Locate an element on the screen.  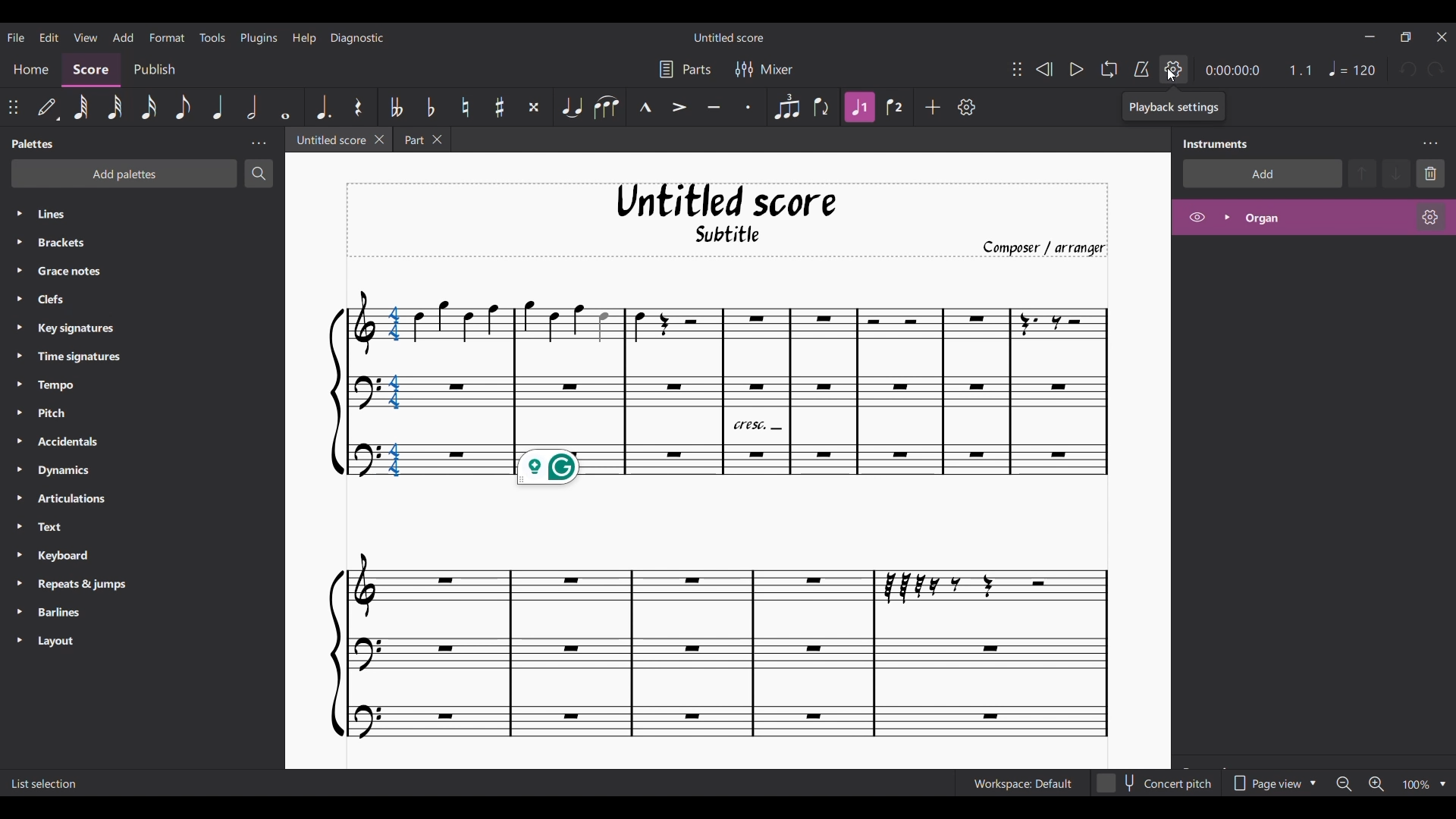
Palette panel settings is located at coordinates (259, 144).